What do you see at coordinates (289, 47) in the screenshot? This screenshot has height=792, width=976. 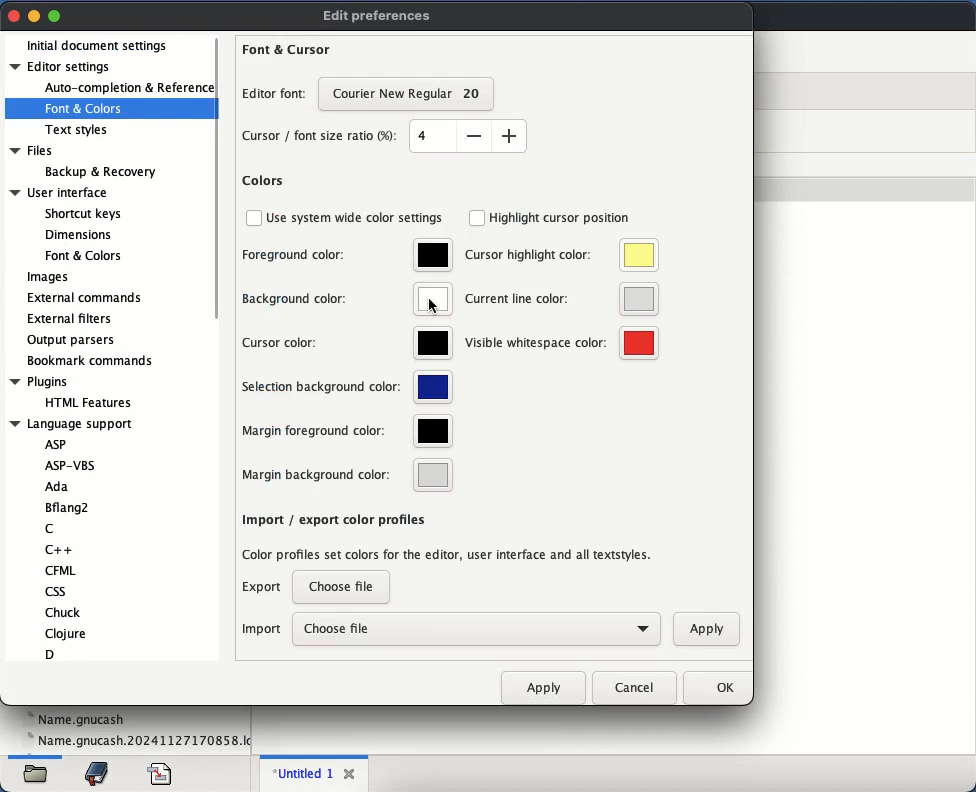 I see `font and cursor` at bounding box center [289, 47].